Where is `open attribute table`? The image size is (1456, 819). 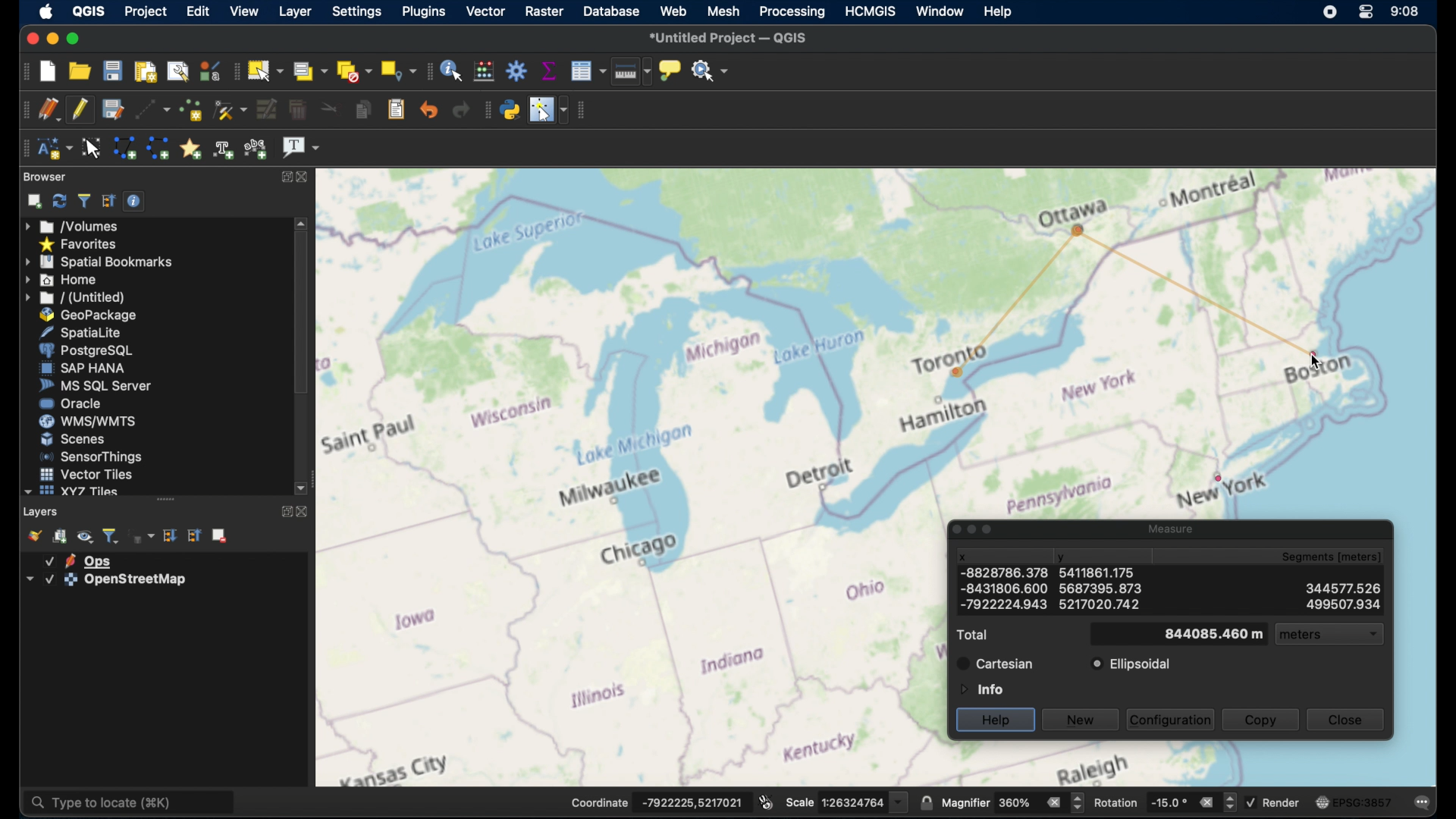
open attribute table is located at coordinates (588, 72).